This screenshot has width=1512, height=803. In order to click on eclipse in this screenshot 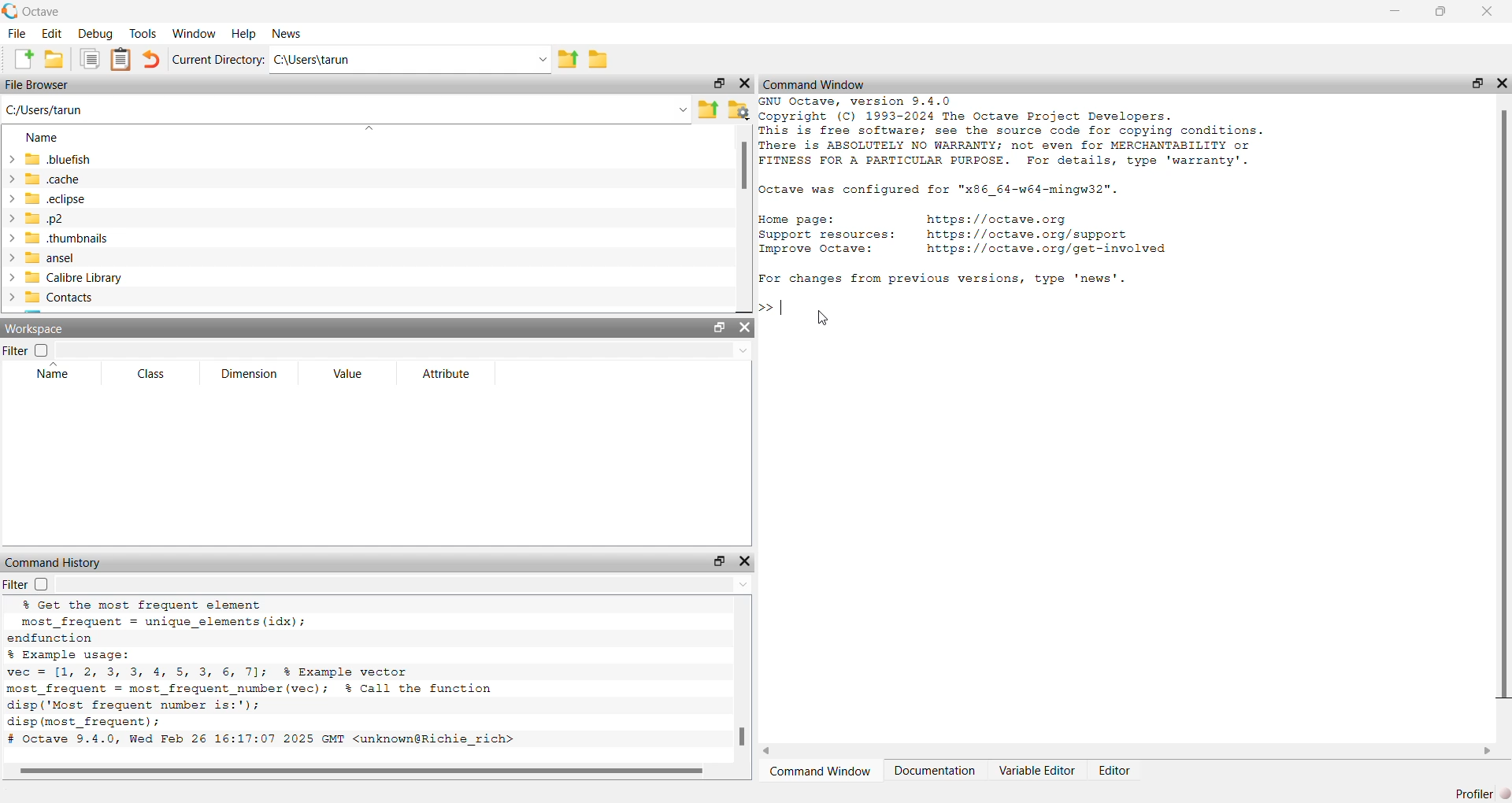, I will do `click(57, 198)`.